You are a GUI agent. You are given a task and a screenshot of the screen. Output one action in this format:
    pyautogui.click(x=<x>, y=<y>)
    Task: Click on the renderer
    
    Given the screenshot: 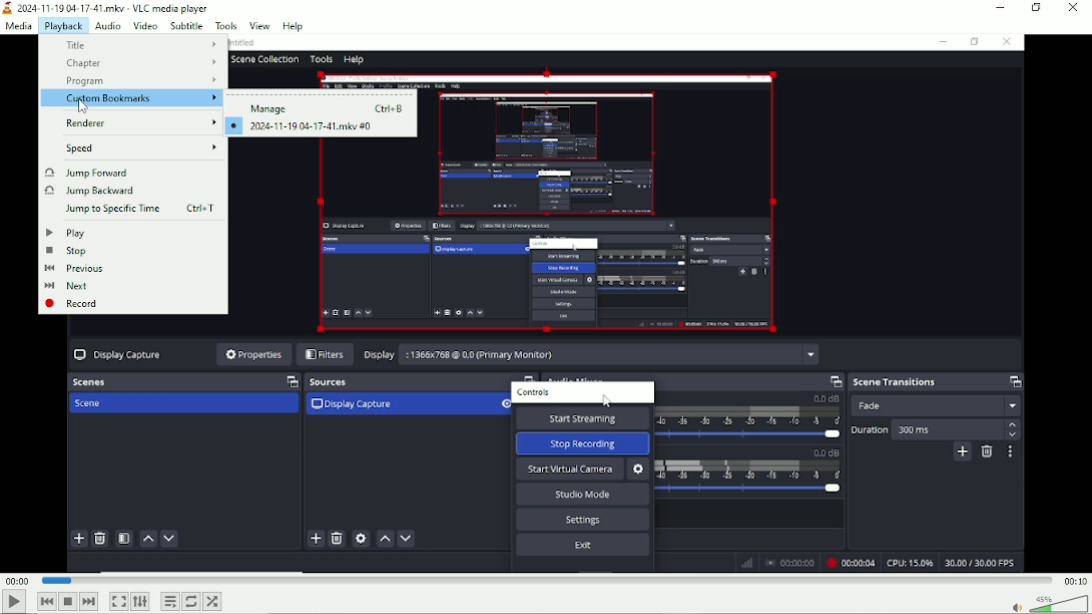 What is the action you would take?
    pyautogui.click(x=140, y=124)
    